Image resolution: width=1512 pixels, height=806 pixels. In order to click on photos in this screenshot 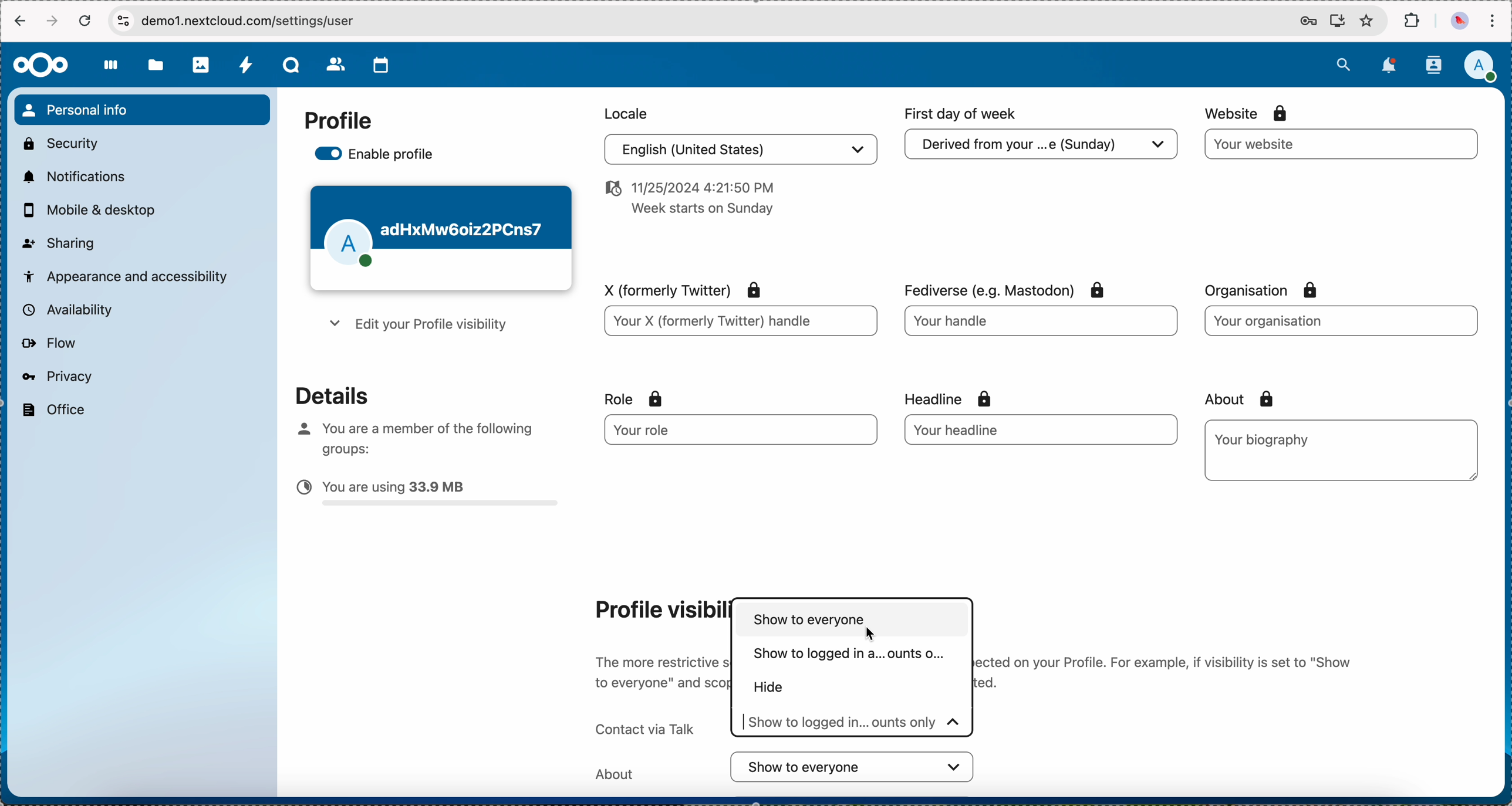, I will do `click(202, 65)`.